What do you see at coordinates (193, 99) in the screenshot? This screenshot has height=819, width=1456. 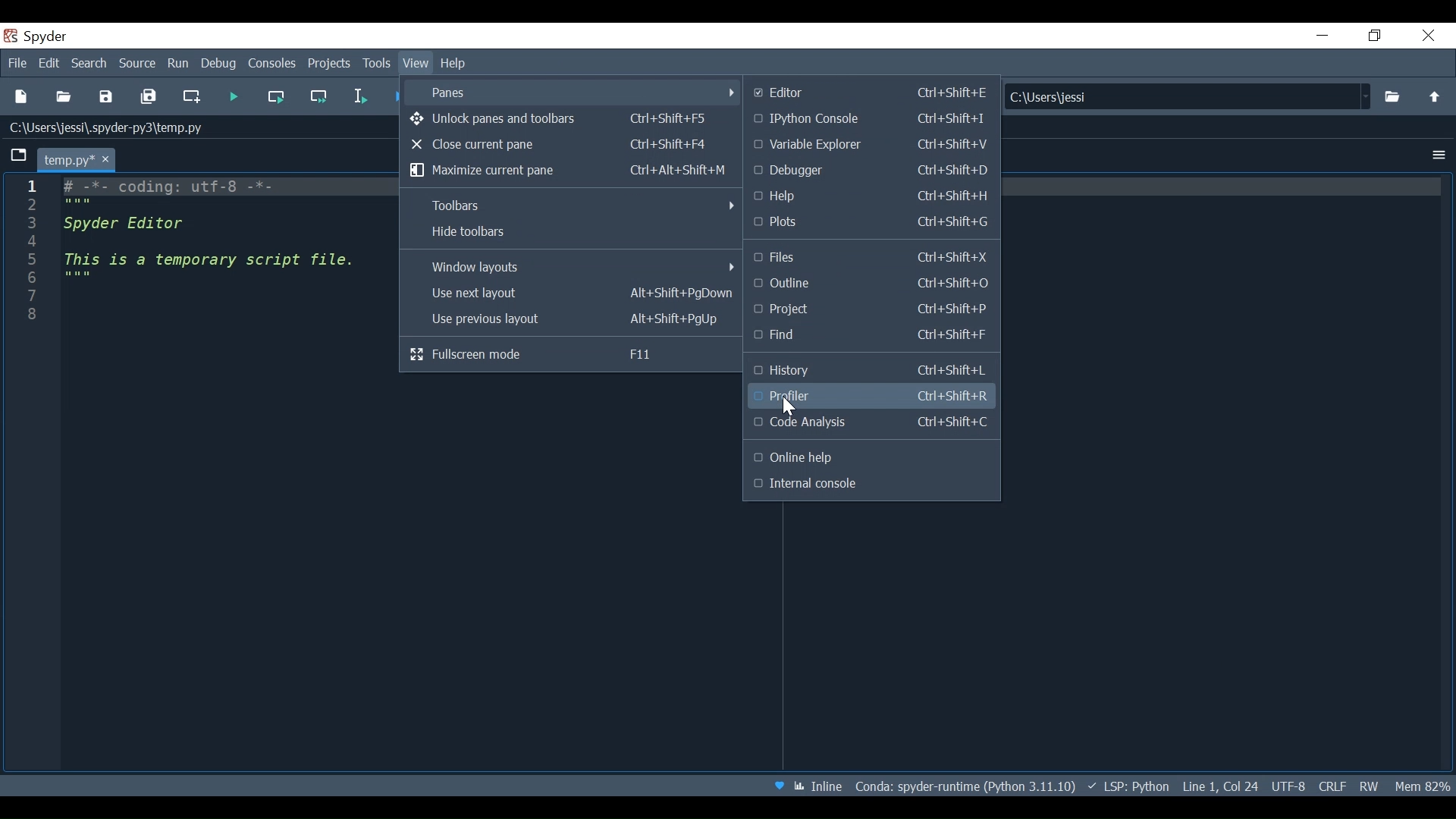 I see `Create new cell at the current line` at bounding box center [193, 99].